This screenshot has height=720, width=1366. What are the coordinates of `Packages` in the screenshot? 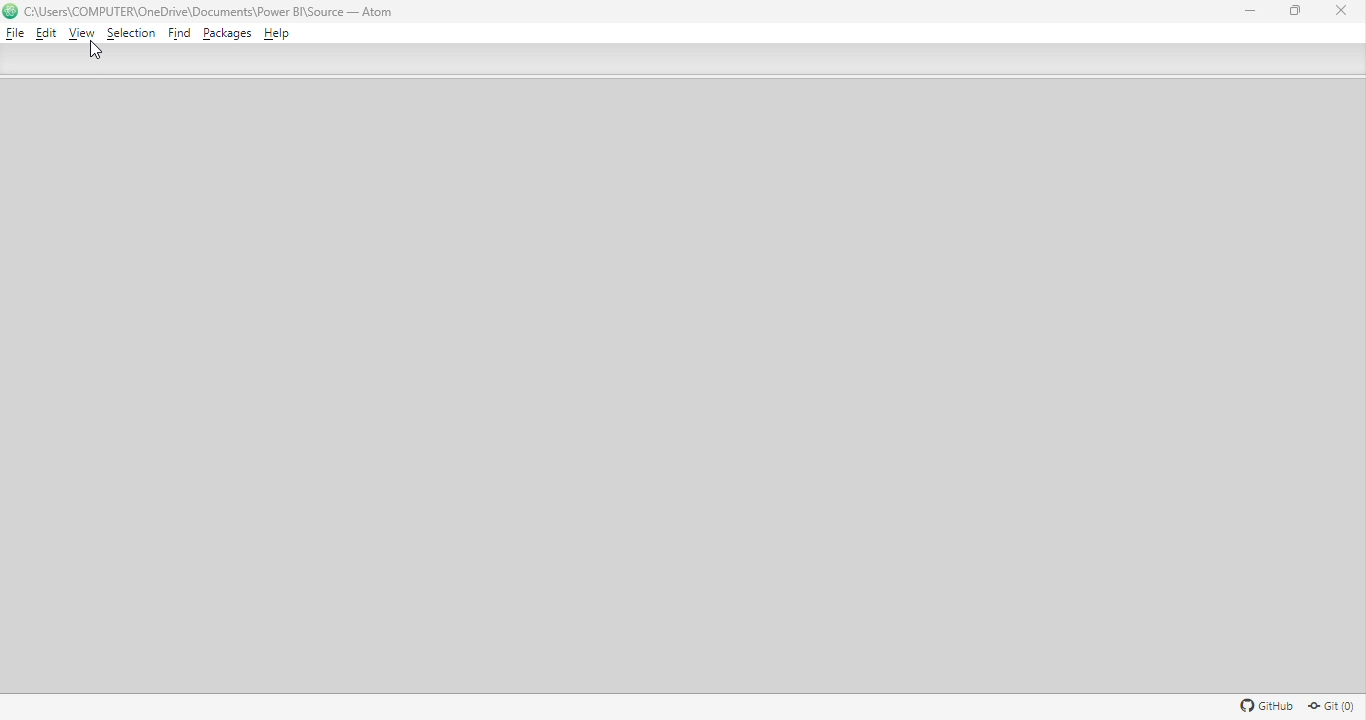 It's located at (228, 34).